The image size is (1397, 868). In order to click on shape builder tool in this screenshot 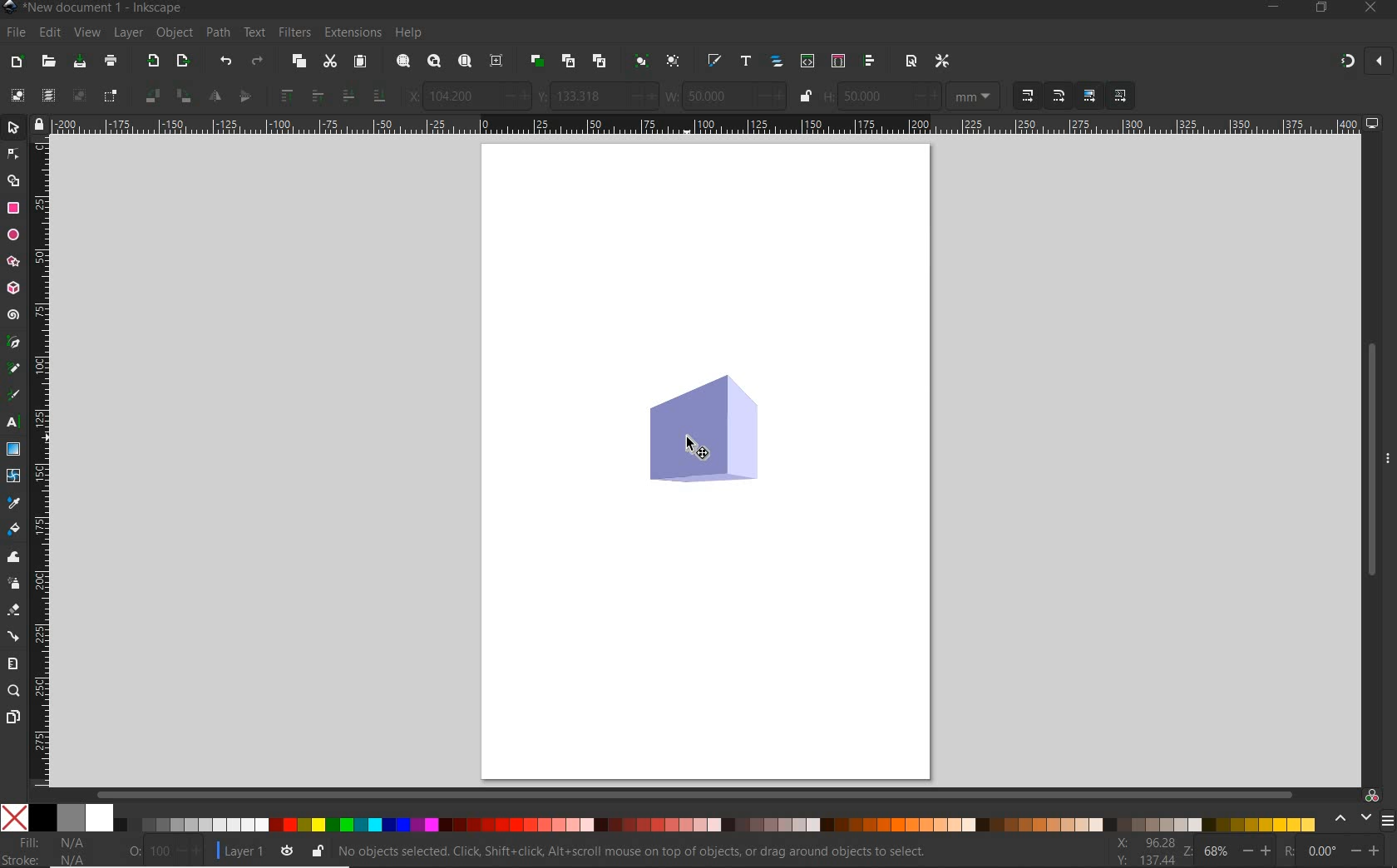, I will do `click(16, 181)`.